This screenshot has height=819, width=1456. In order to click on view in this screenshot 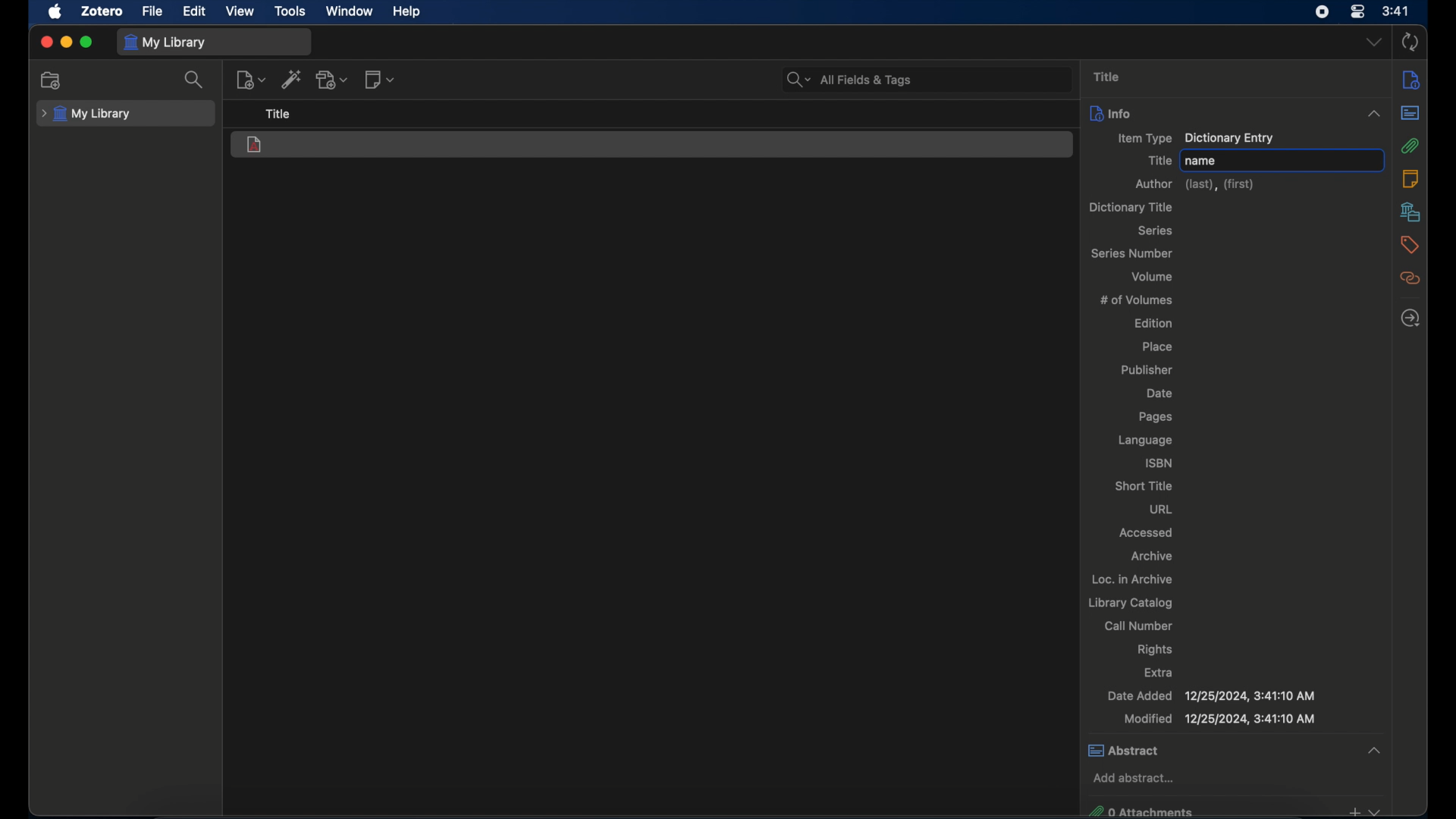, I will do `click(240, 11)`.